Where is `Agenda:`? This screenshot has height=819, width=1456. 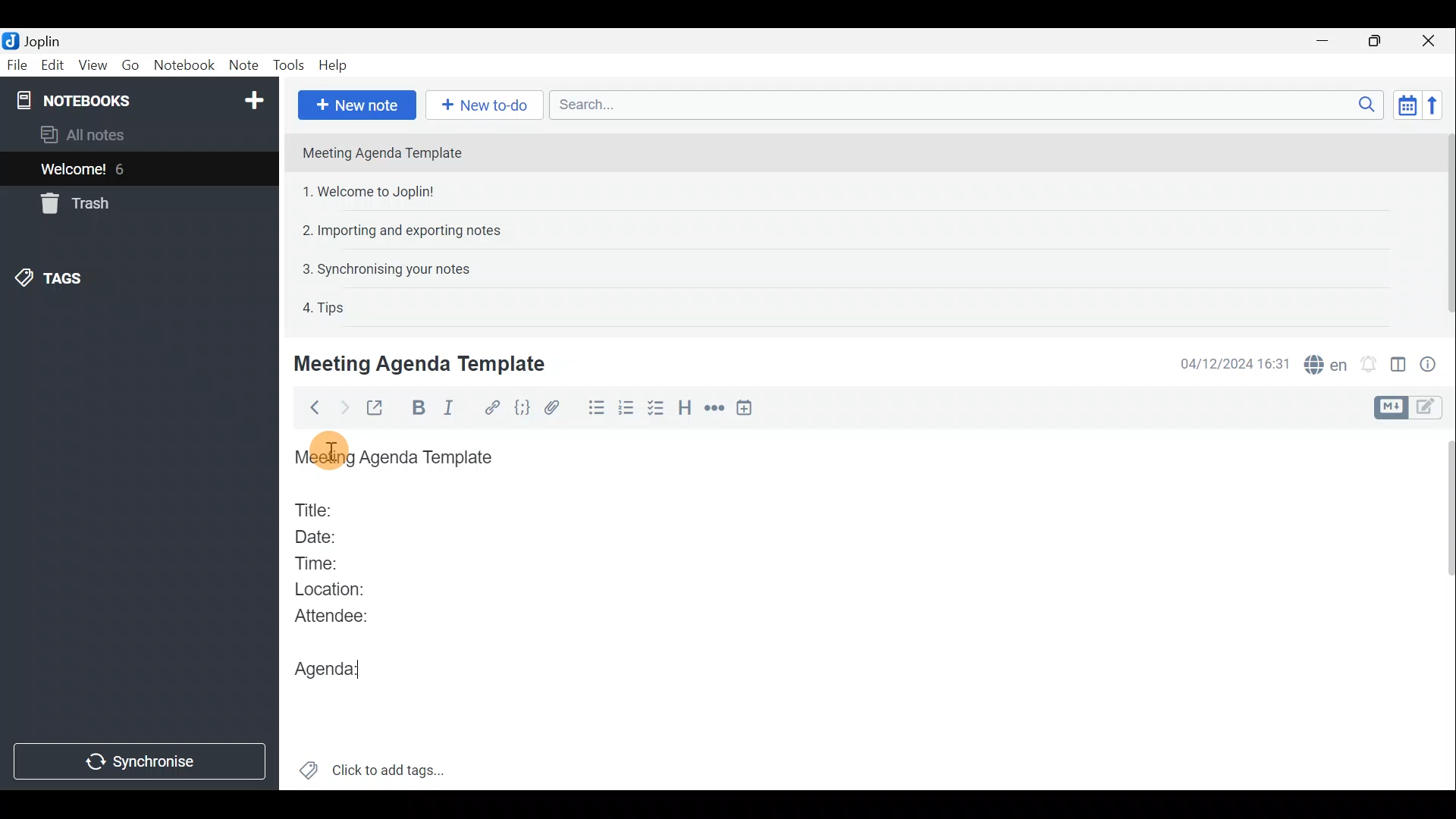 Agenda: is located at coordinates (340, 665).